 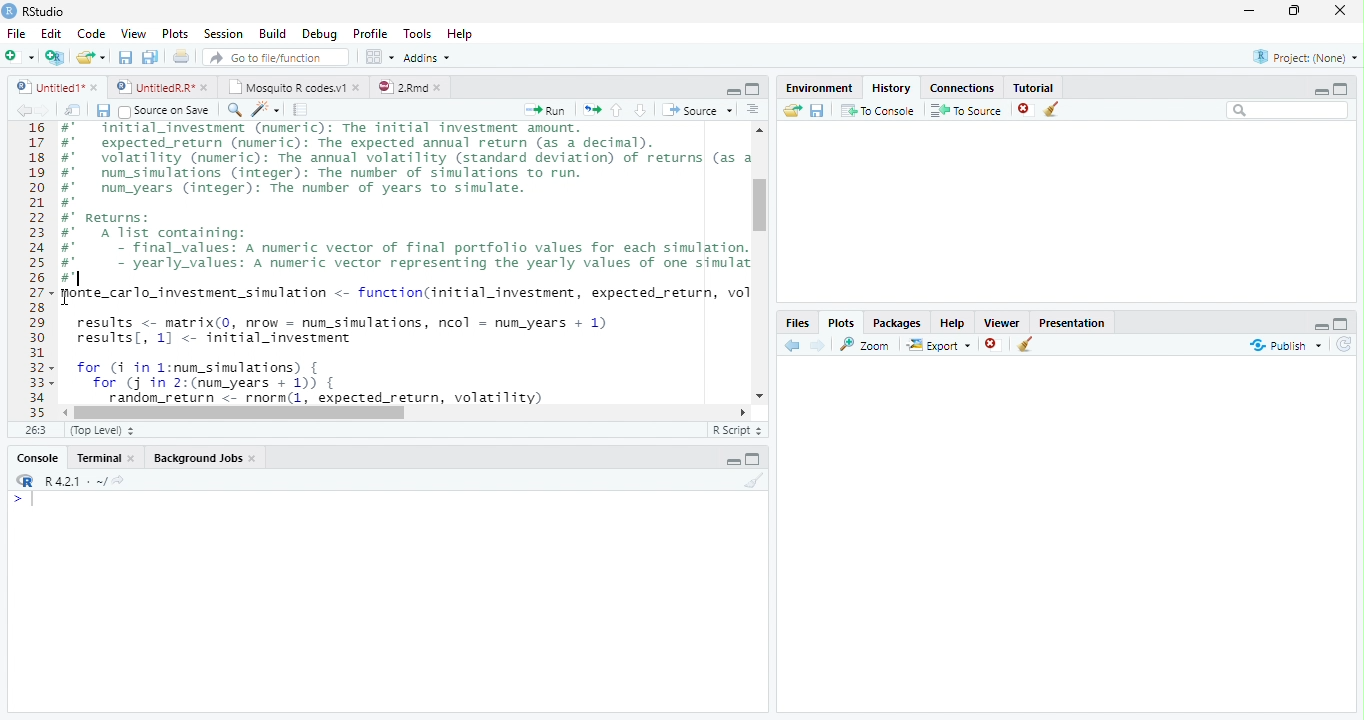 What do you see at coordinates (23, 110) in the screenshot?
I see `previous source location` at bounding box center [23, 110].